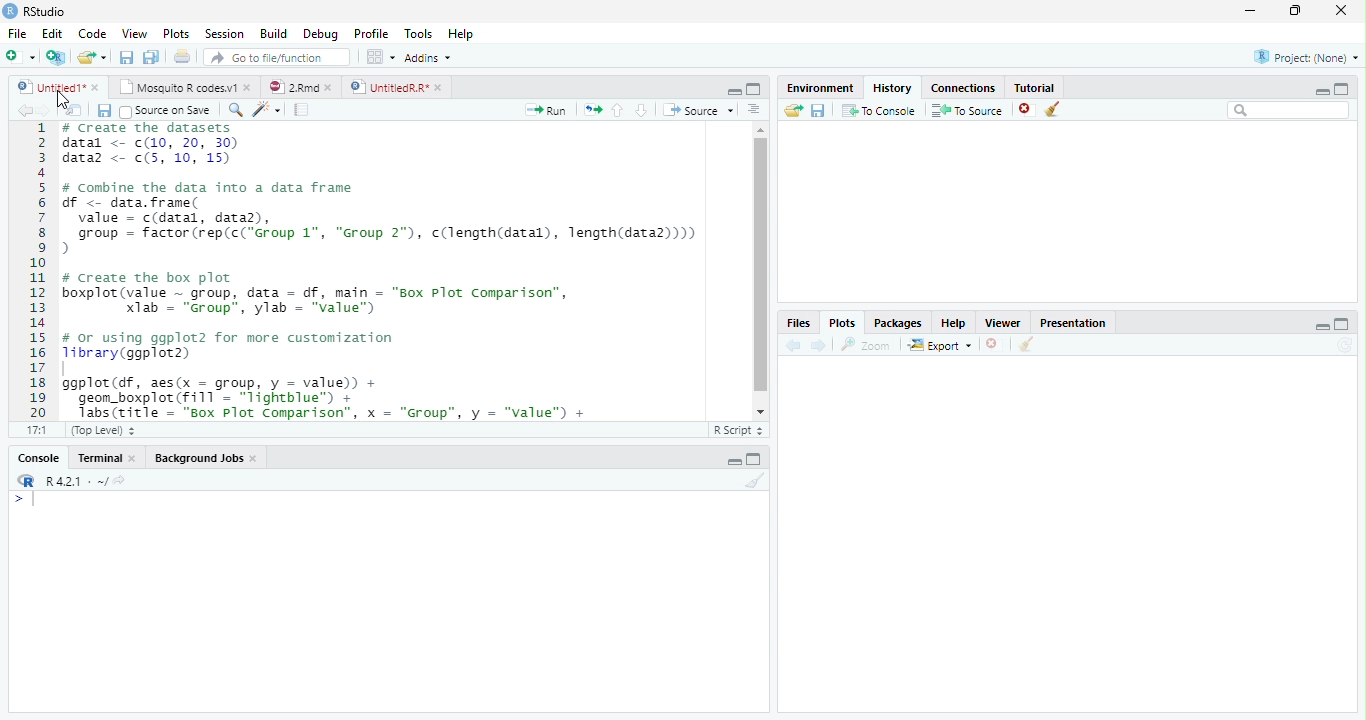 This screenshot has height=720, width=1366. I want to click on Profile, so click(371, 33).